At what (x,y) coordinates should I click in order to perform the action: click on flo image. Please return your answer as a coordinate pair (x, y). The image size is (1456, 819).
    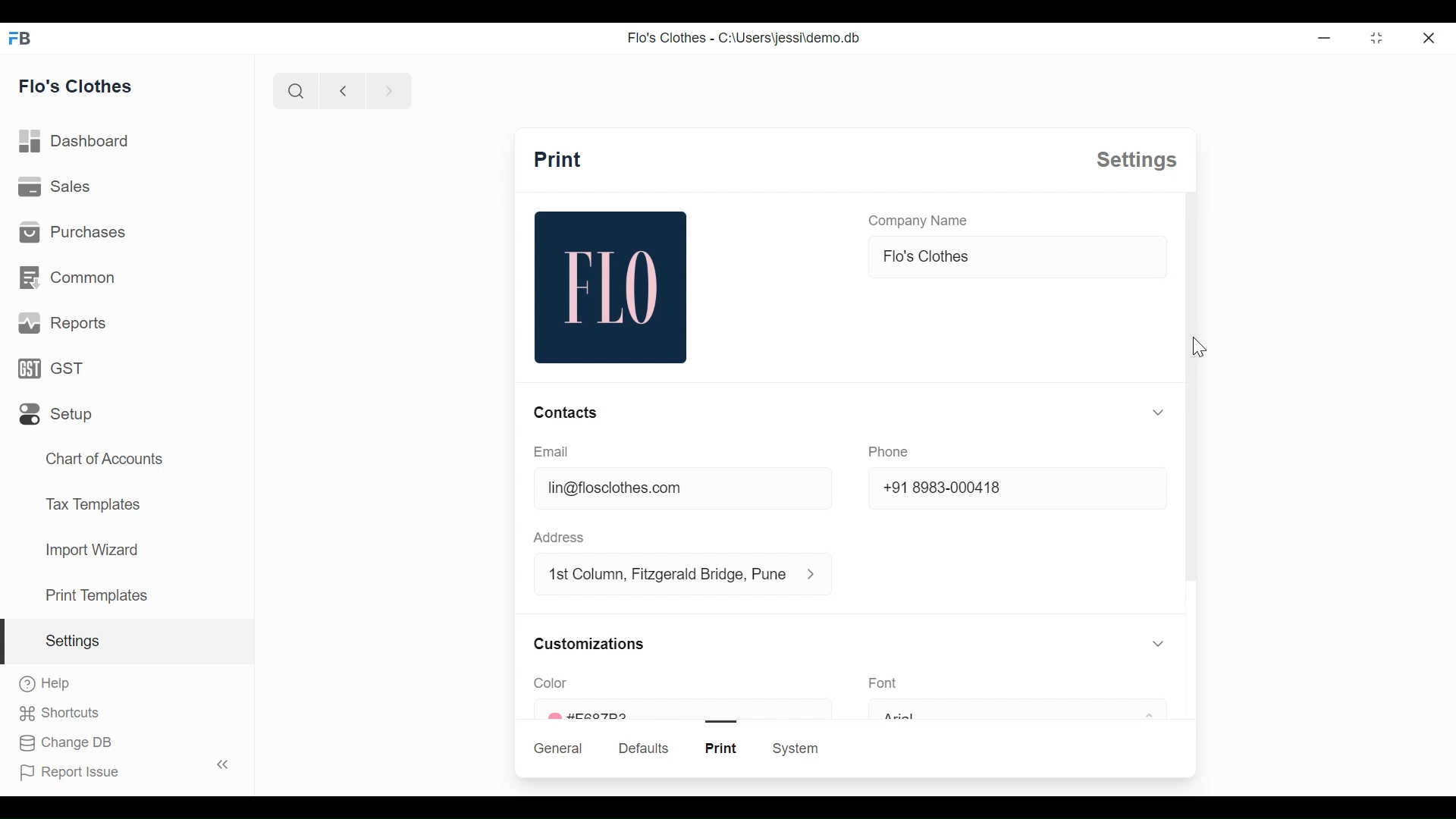
    Looking at the image, I should click on (610, 287).